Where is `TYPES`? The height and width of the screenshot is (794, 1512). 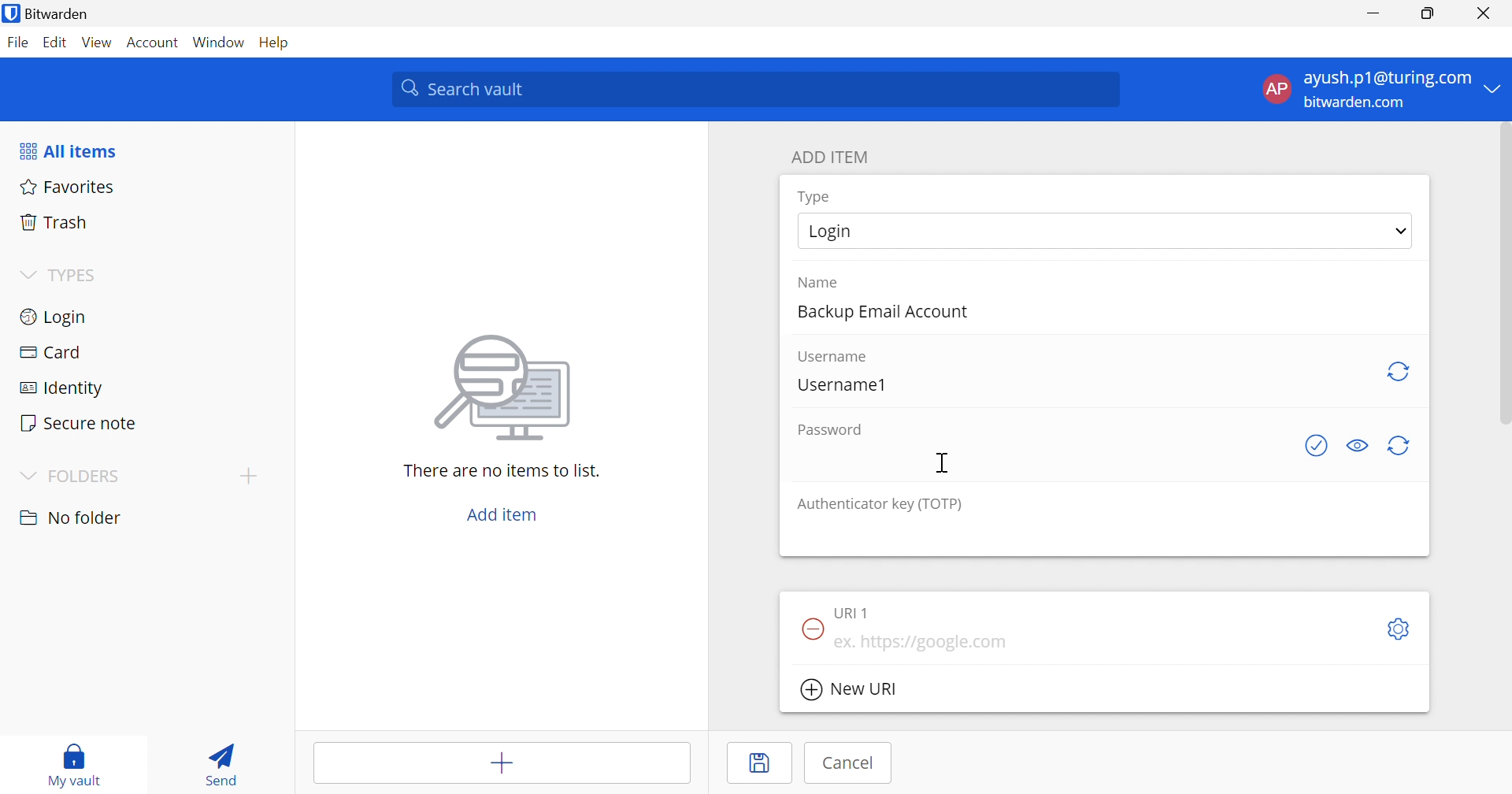 TYPES is located at coordinates (74, 274).